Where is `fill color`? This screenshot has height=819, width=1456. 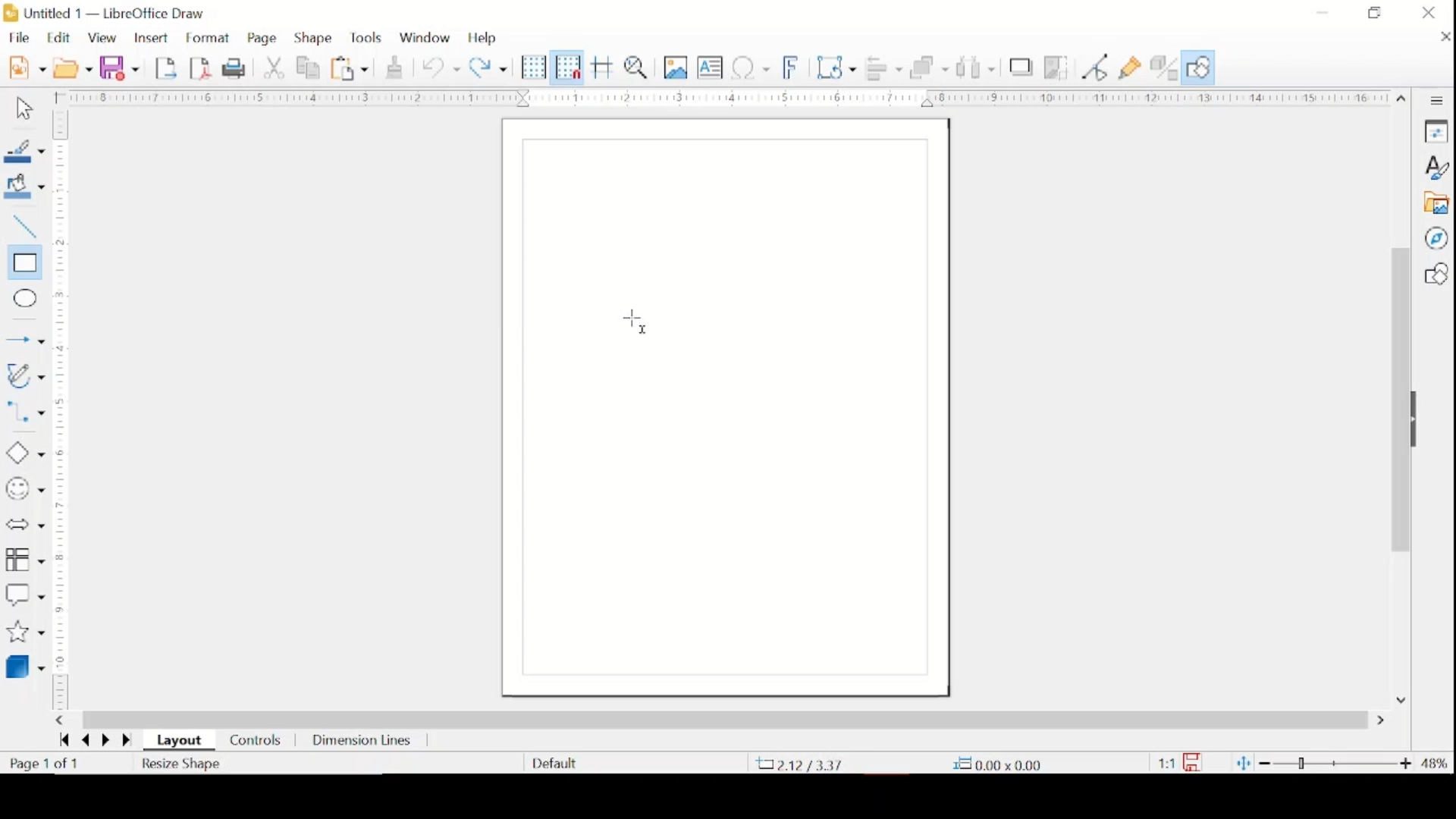
fill color is located at coordinates (27, 187).